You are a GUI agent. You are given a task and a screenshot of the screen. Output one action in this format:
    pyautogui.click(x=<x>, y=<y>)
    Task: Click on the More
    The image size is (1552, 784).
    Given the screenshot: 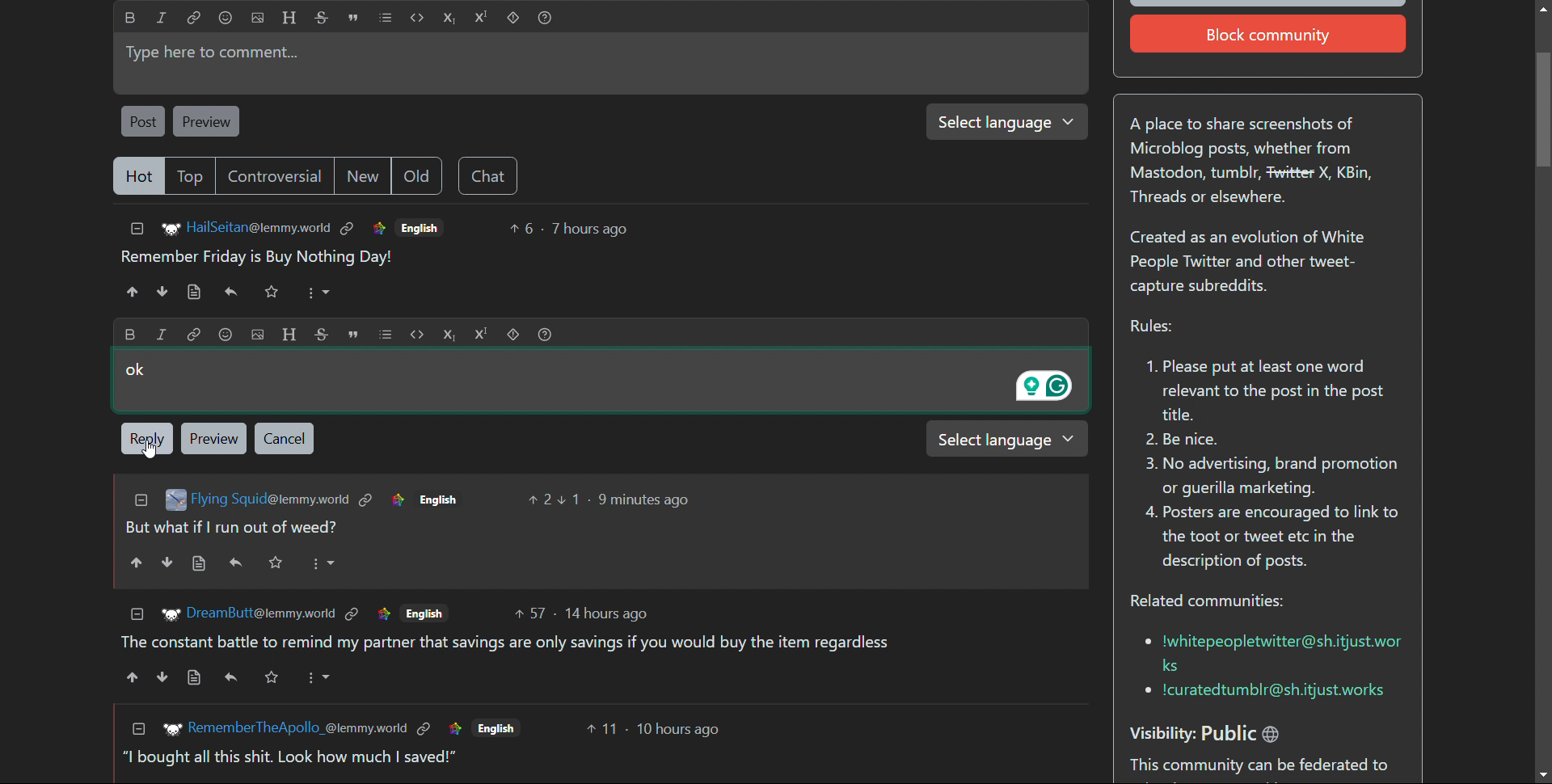 What is the action you would take?
    pyautogui.click(x=323, y=680)
    